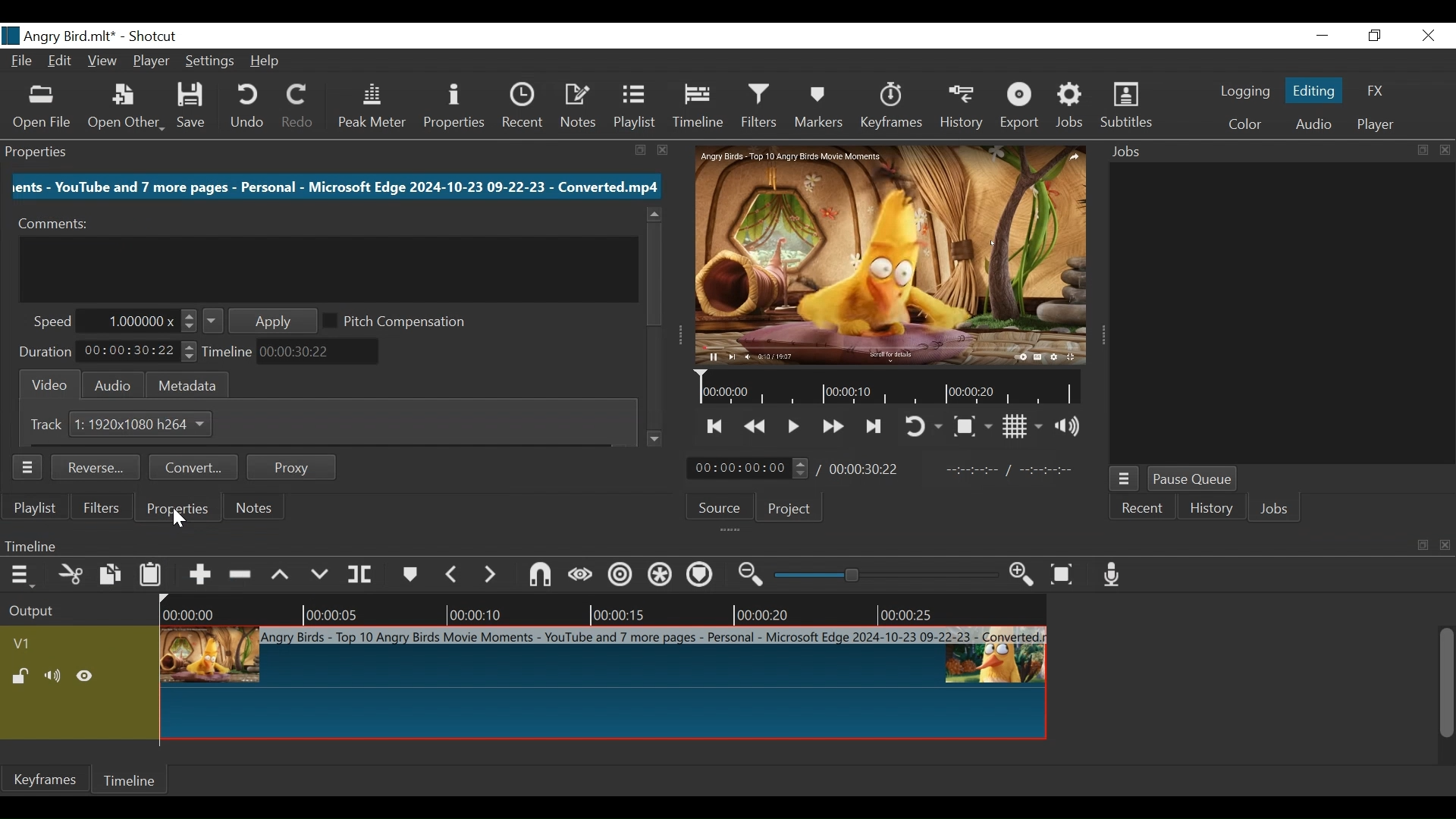 The height and width of the screenshot is (819, 1456). What do you see at coordinates (1325, 35) in the screenshot?
I see `minimize` at bounding box center [1325, 35].